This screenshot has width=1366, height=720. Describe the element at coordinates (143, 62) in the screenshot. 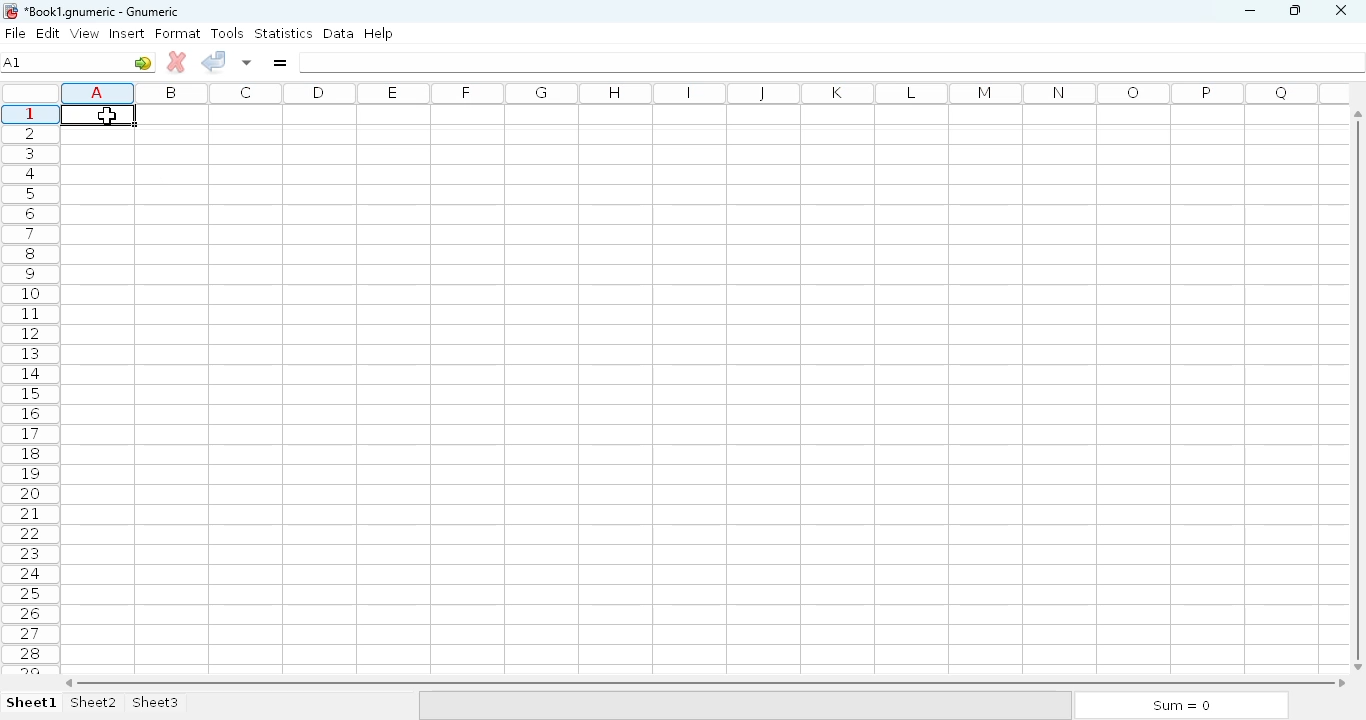

I see `go to` at that location.